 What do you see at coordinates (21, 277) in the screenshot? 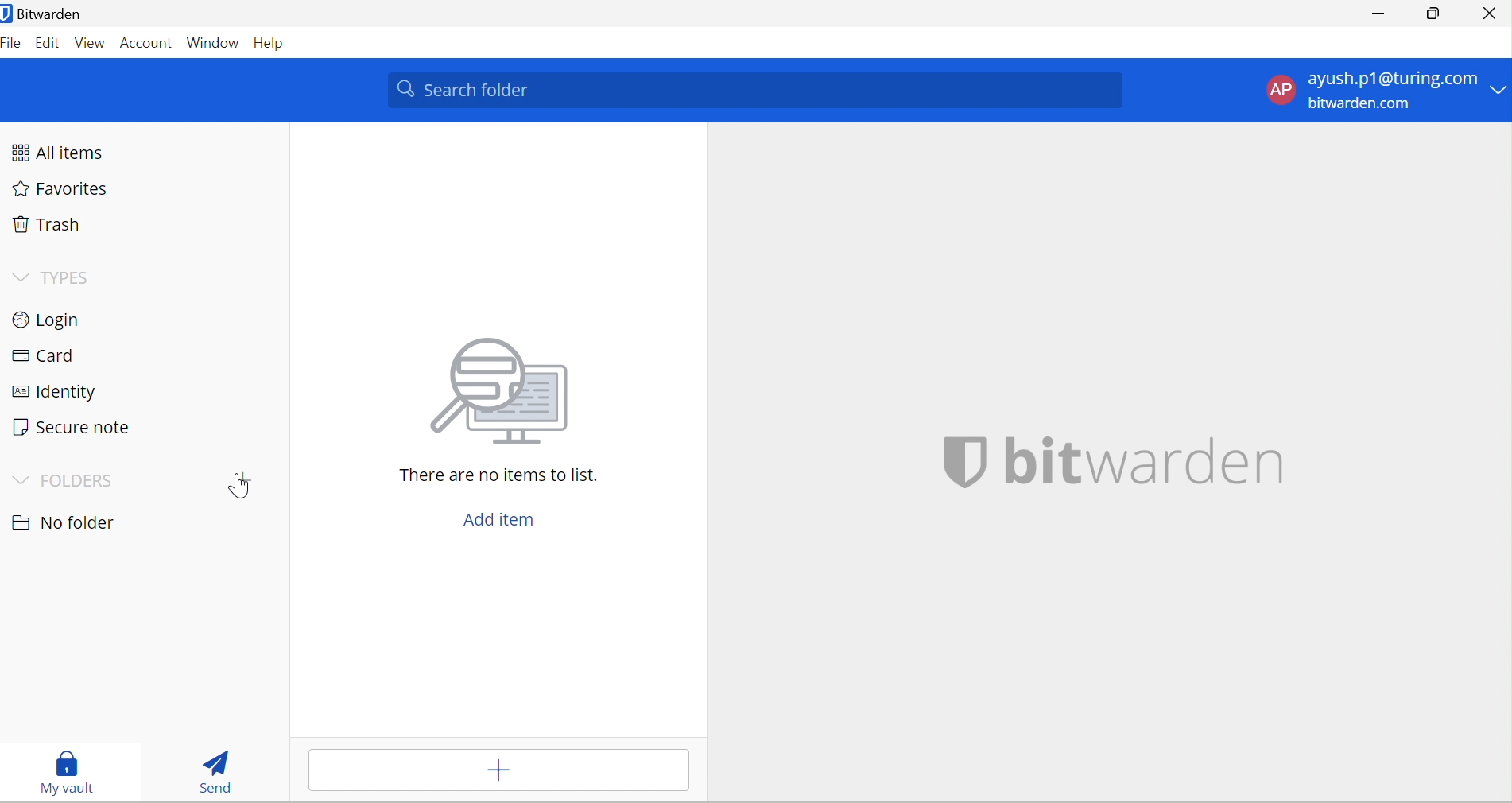
I see `Drop Down` at bounding box center [21, 277].